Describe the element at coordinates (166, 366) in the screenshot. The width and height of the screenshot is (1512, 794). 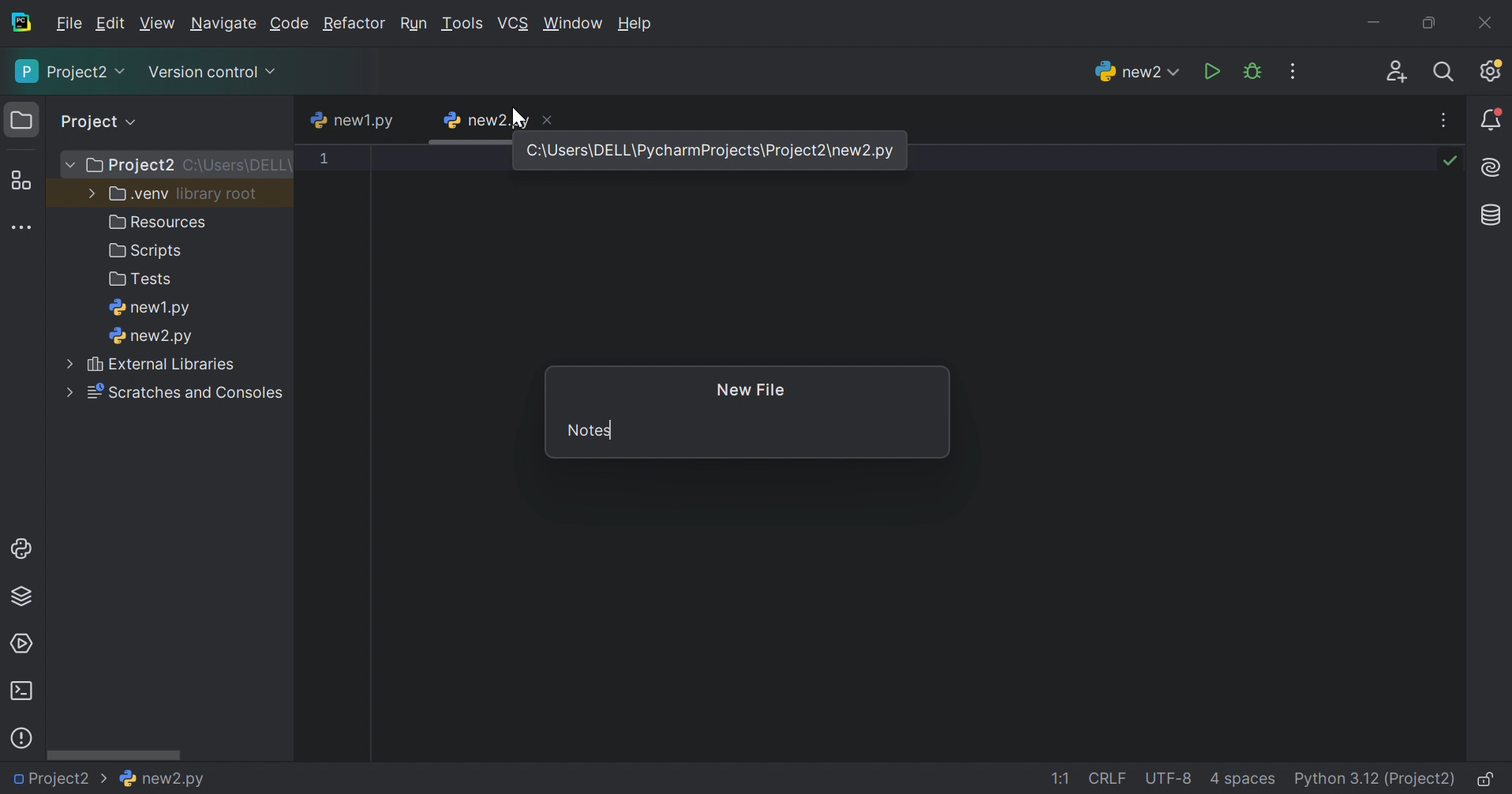
I see `external libraries` at that location.